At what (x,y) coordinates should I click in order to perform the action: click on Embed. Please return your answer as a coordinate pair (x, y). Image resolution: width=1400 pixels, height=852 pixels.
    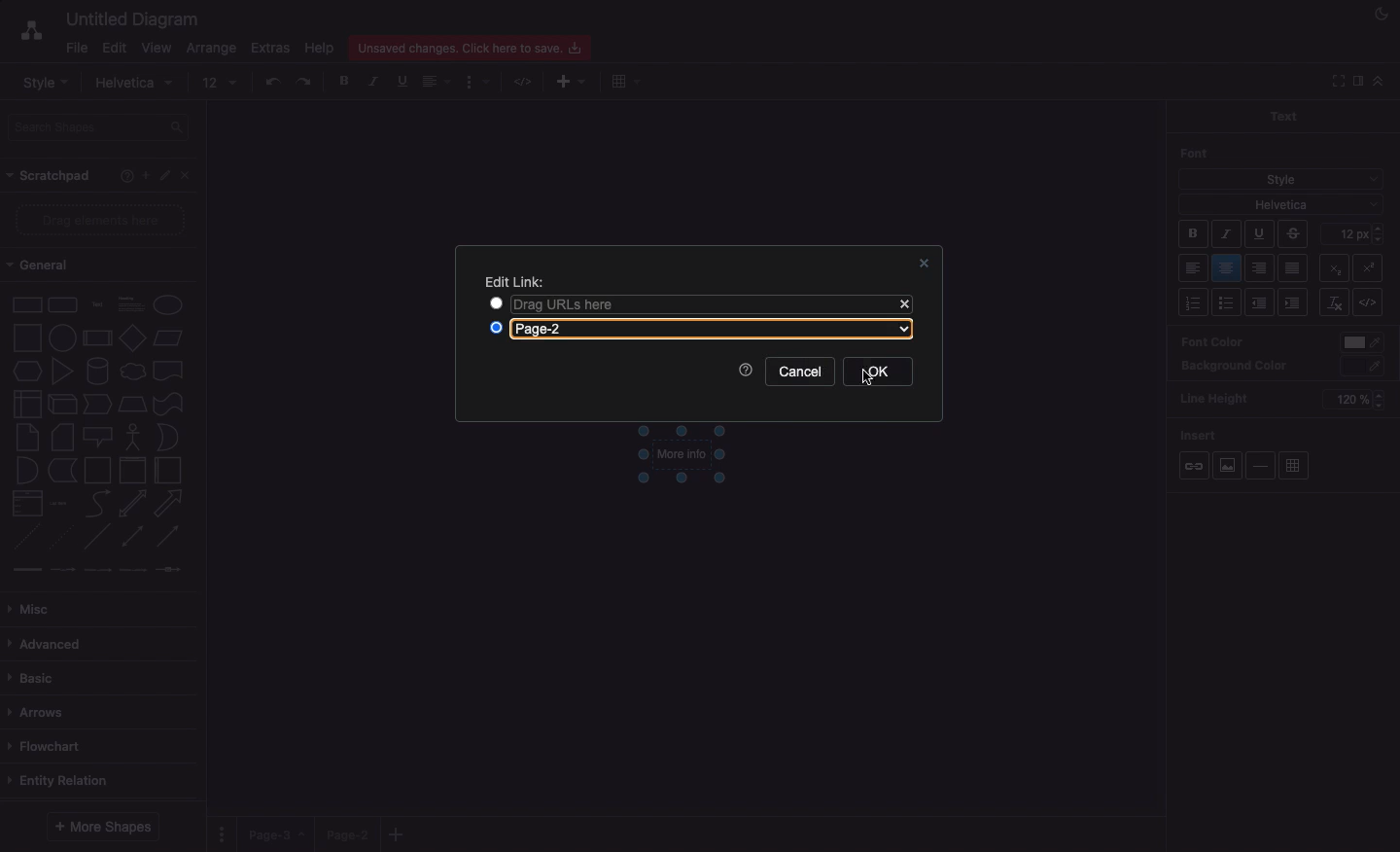
    Looking at the image, I should click on (1373, 303).